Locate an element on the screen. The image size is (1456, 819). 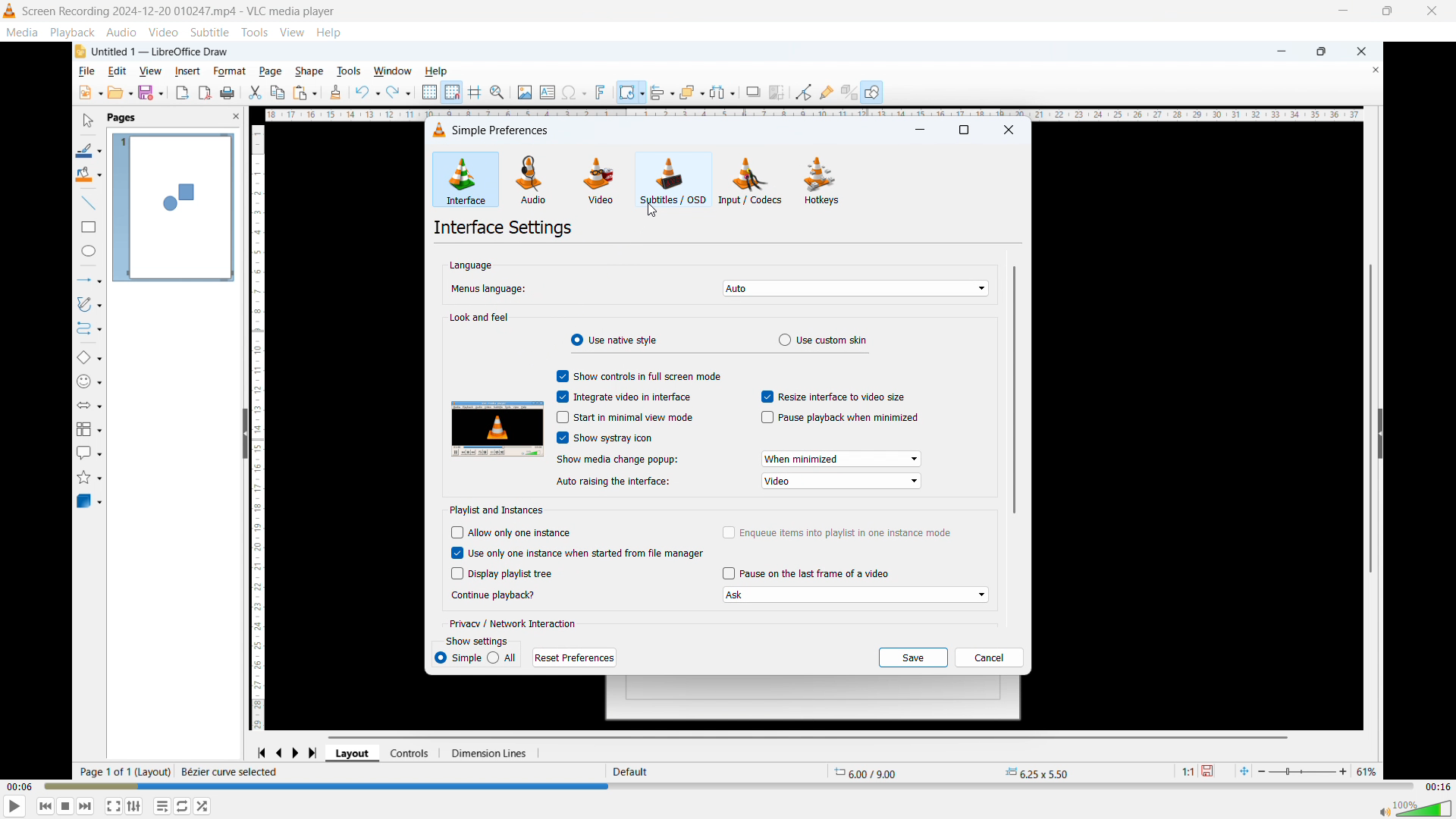
Input or codecs  is located at coordinates (751, 181).